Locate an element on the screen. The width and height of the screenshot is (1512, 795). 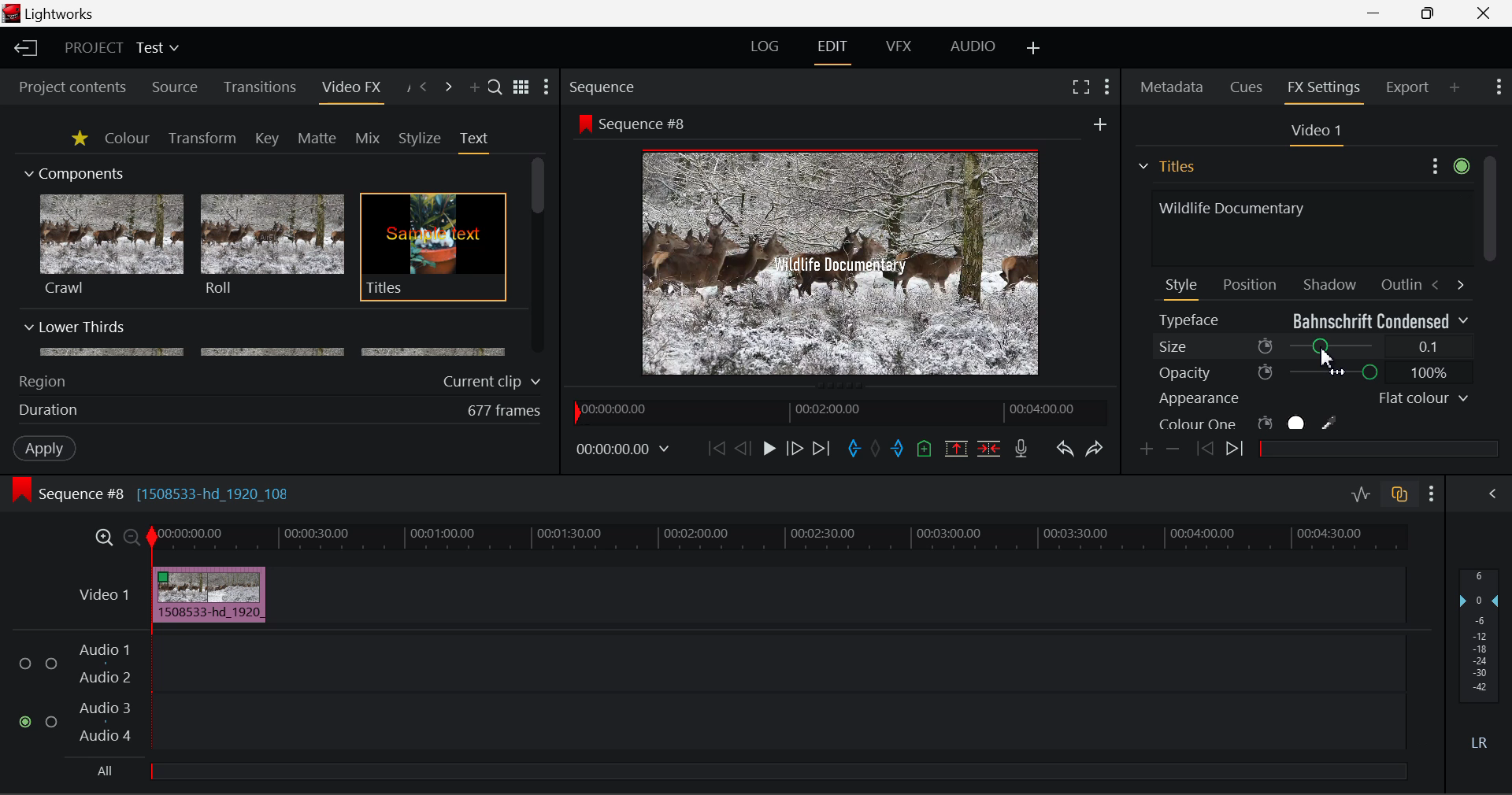
Current clip is located at coordinates (495, 382).